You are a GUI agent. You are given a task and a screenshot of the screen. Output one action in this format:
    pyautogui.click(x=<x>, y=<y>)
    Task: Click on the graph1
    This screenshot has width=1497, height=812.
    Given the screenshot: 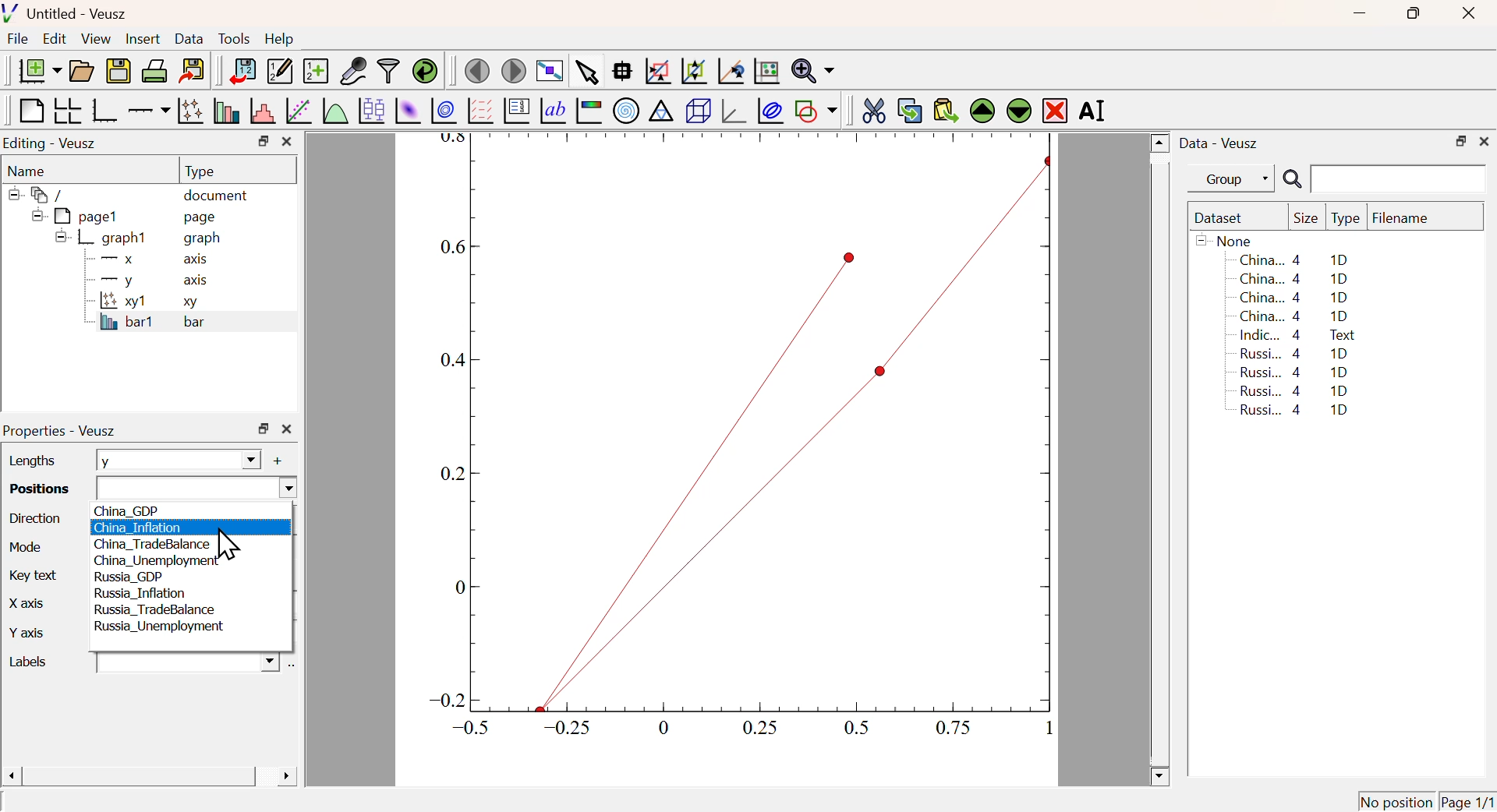 What is the action you would take?
    pyautogui.click(x=103, y=237)
    